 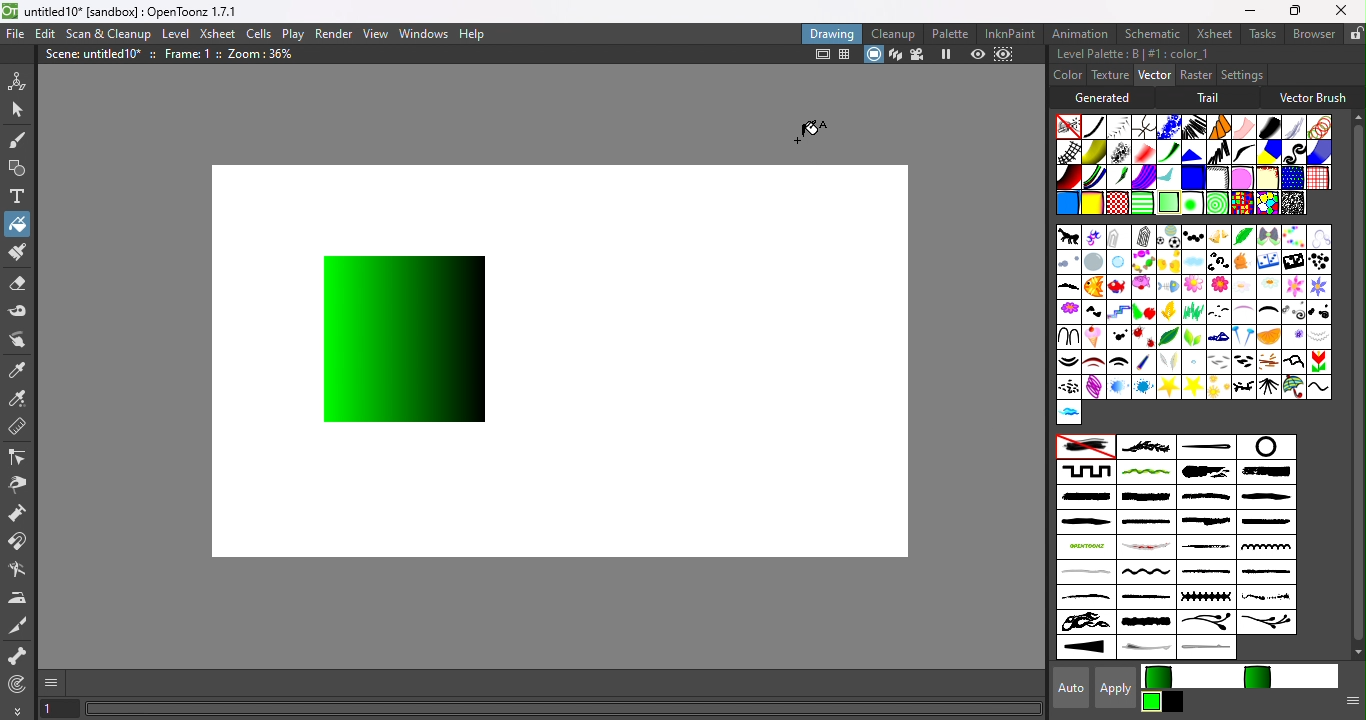 I want to click on Bubbles, so click(x=1318, y=127).